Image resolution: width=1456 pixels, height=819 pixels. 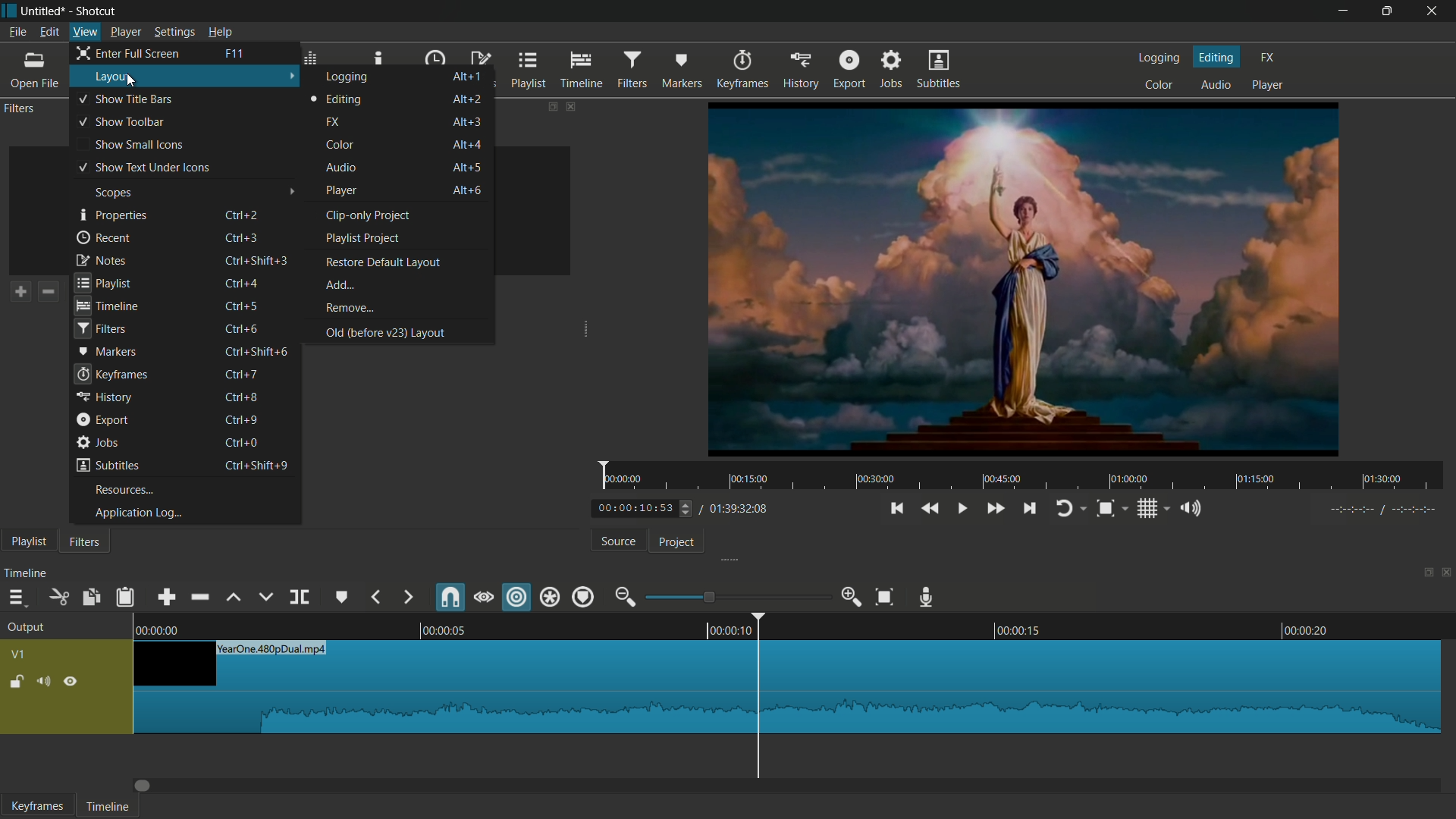 I want to click on add remove, so click(x=341, y=285).